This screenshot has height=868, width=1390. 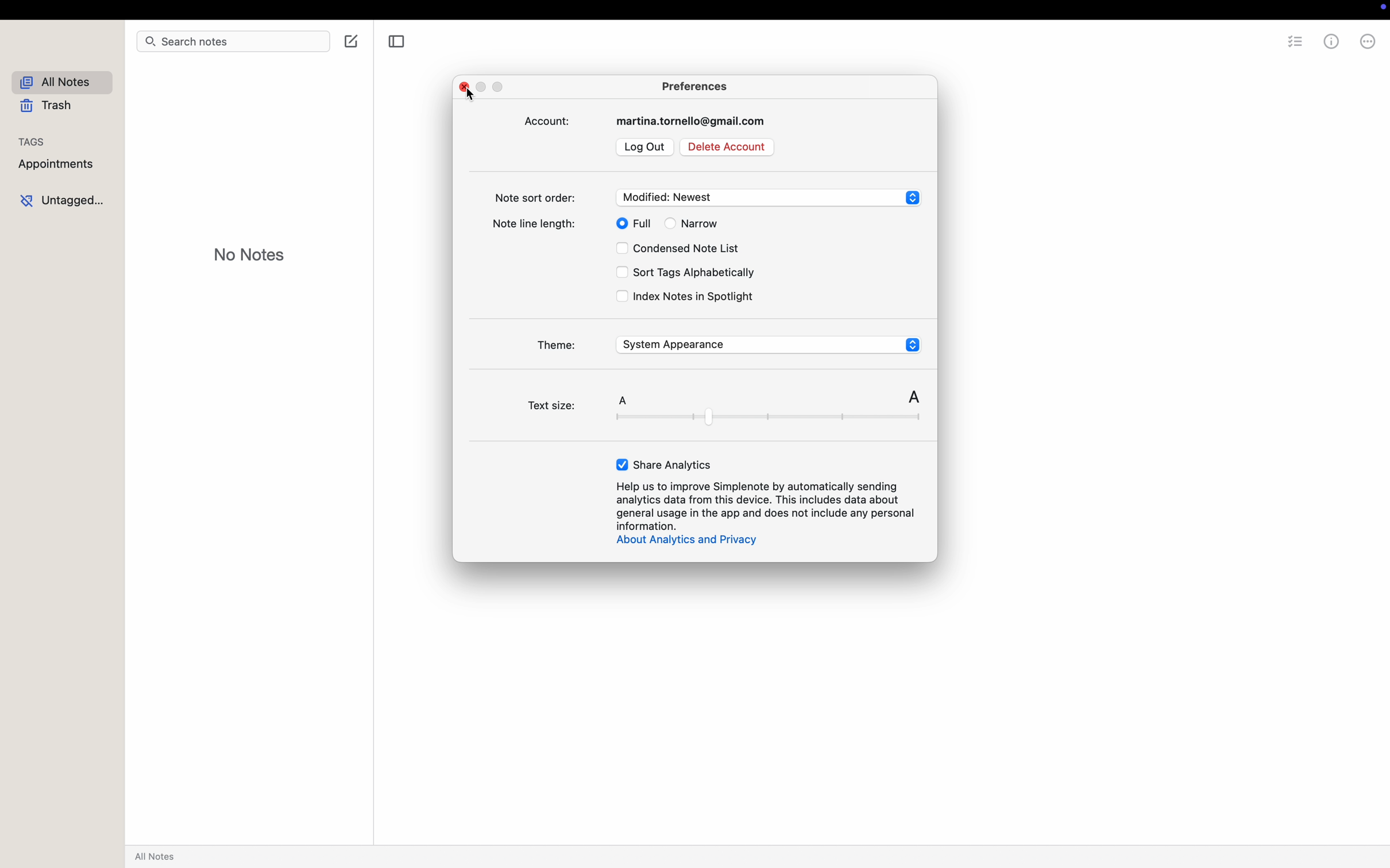 I want to click on untagged, so click(x=64, y=199).